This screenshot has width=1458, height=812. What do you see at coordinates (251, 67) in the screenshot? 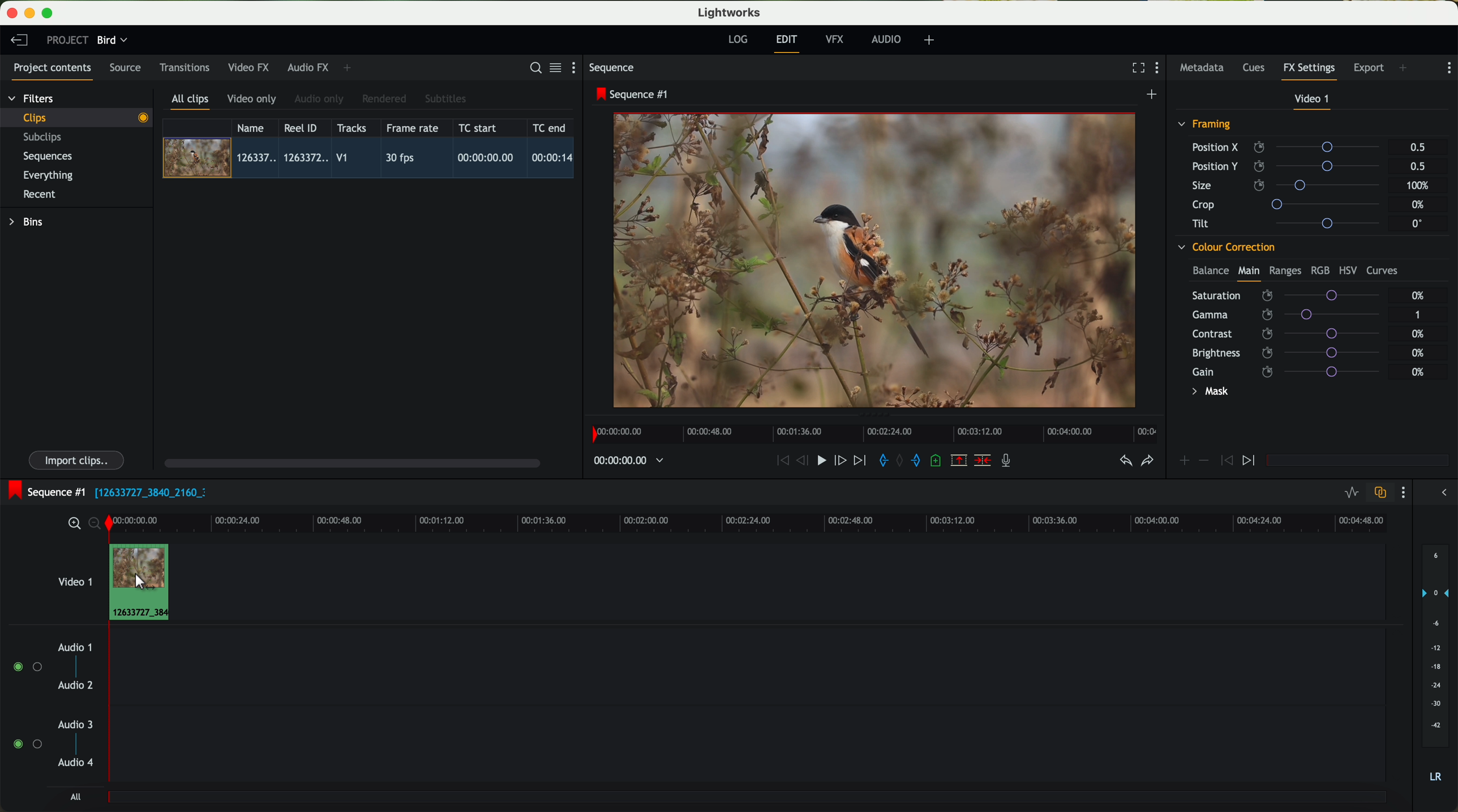
I see `video FX` at bounding box center [251, 67].